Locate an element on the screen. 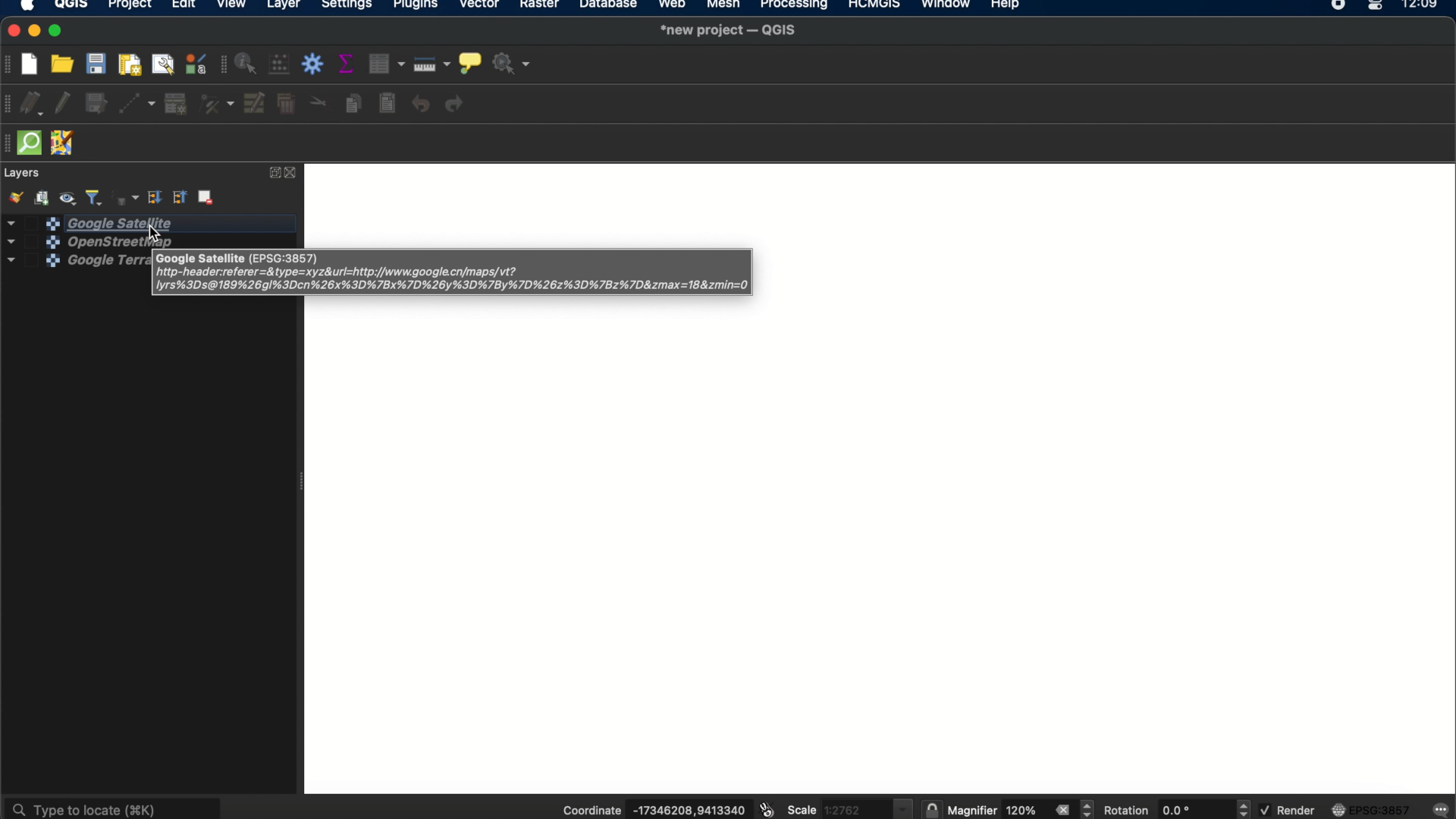 Image resolution: width=1456 pixels, height=819 pixels. open attribute table is located at coordinates (389, 64).